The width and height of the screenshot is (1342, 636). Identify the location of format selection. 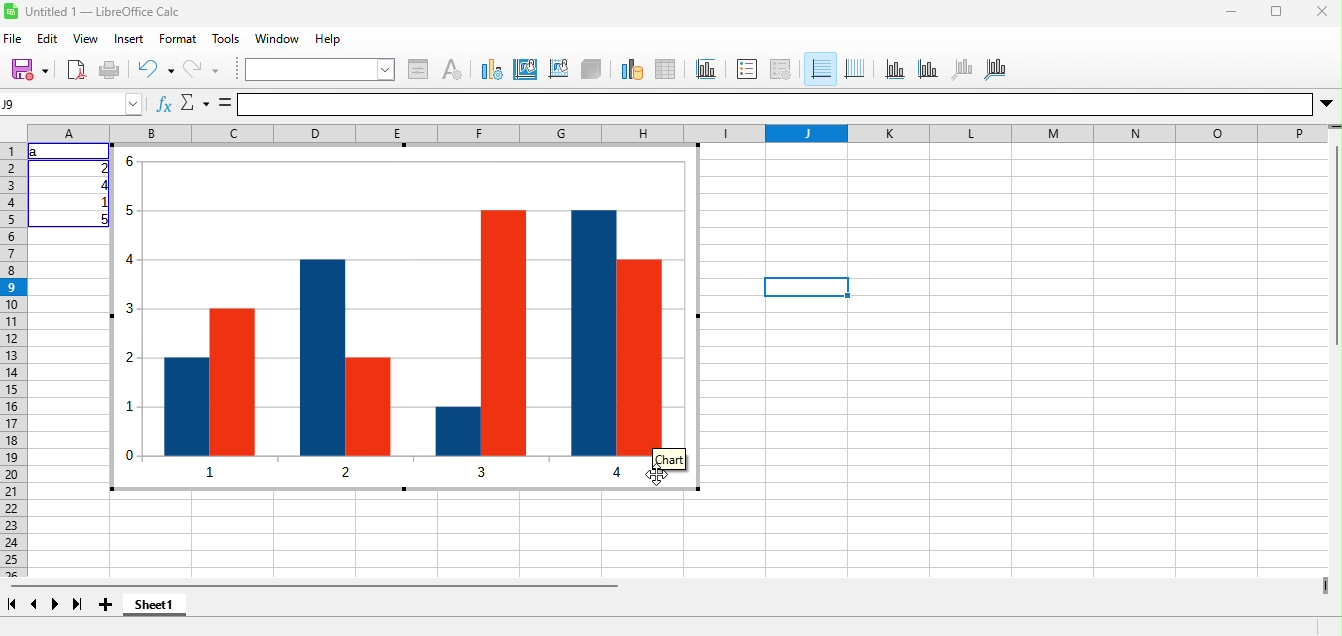
(419, 70).